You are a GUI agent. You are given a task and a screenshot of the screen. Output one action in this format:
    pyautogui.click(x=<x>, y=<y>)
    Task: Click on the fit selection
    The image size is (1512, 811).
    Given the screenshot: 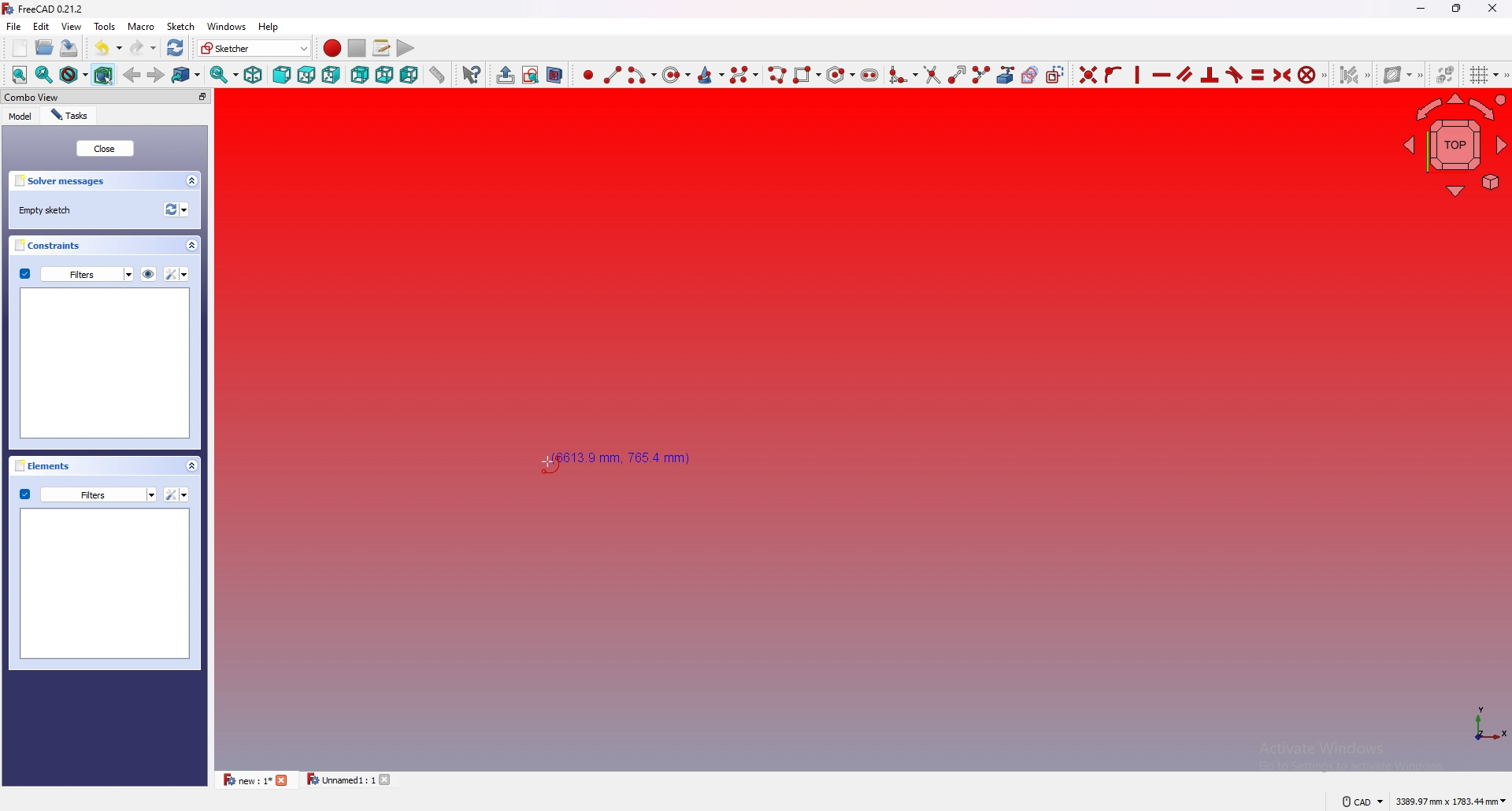 What is the action you would take?
    pyautogui.click(x=44, y=74)
    